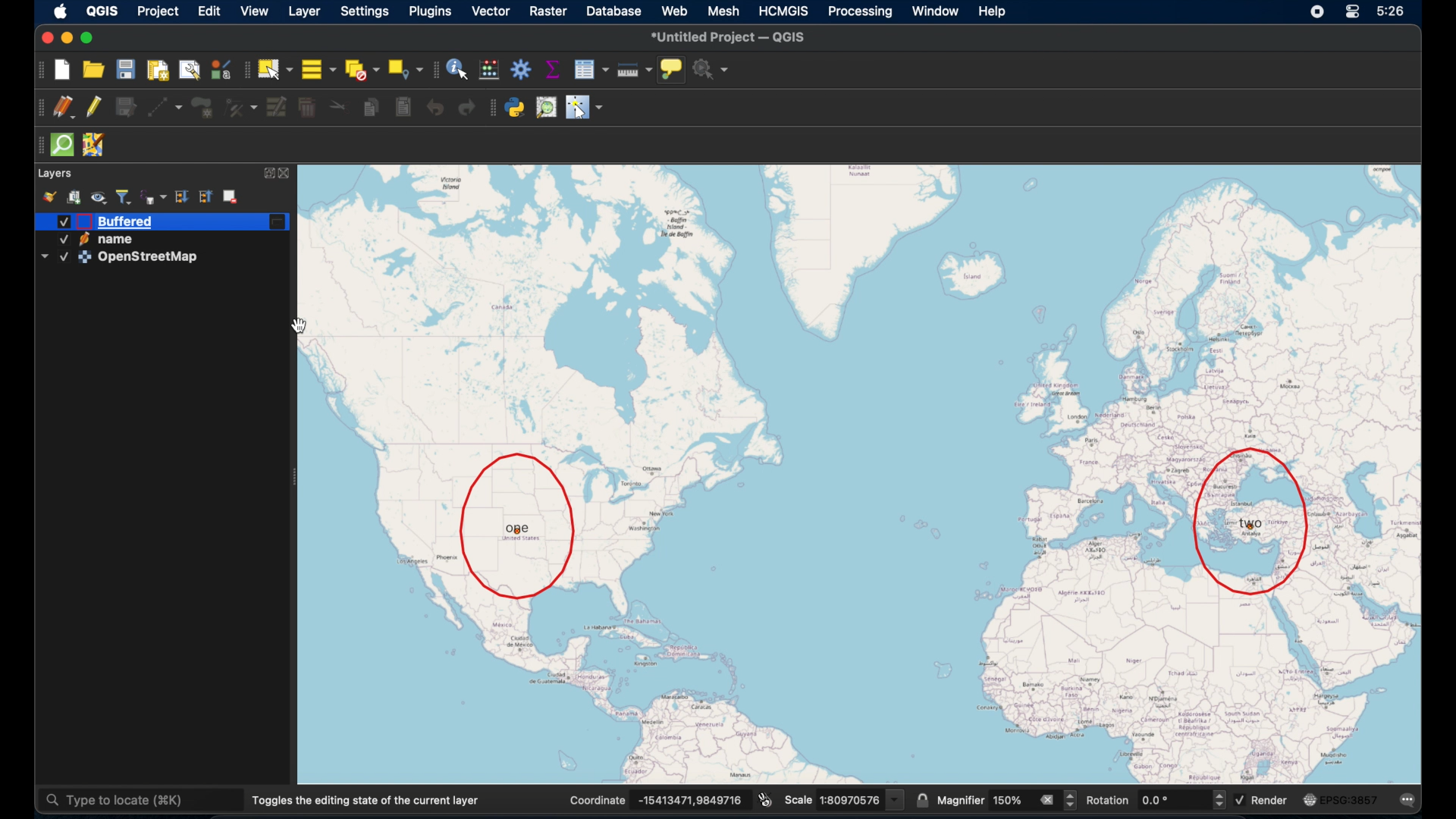 The width and height of the screenshot is (1456, 819). Describe the element at coordinates (49, 195) in the screenshot. I see `style manager` at that location.